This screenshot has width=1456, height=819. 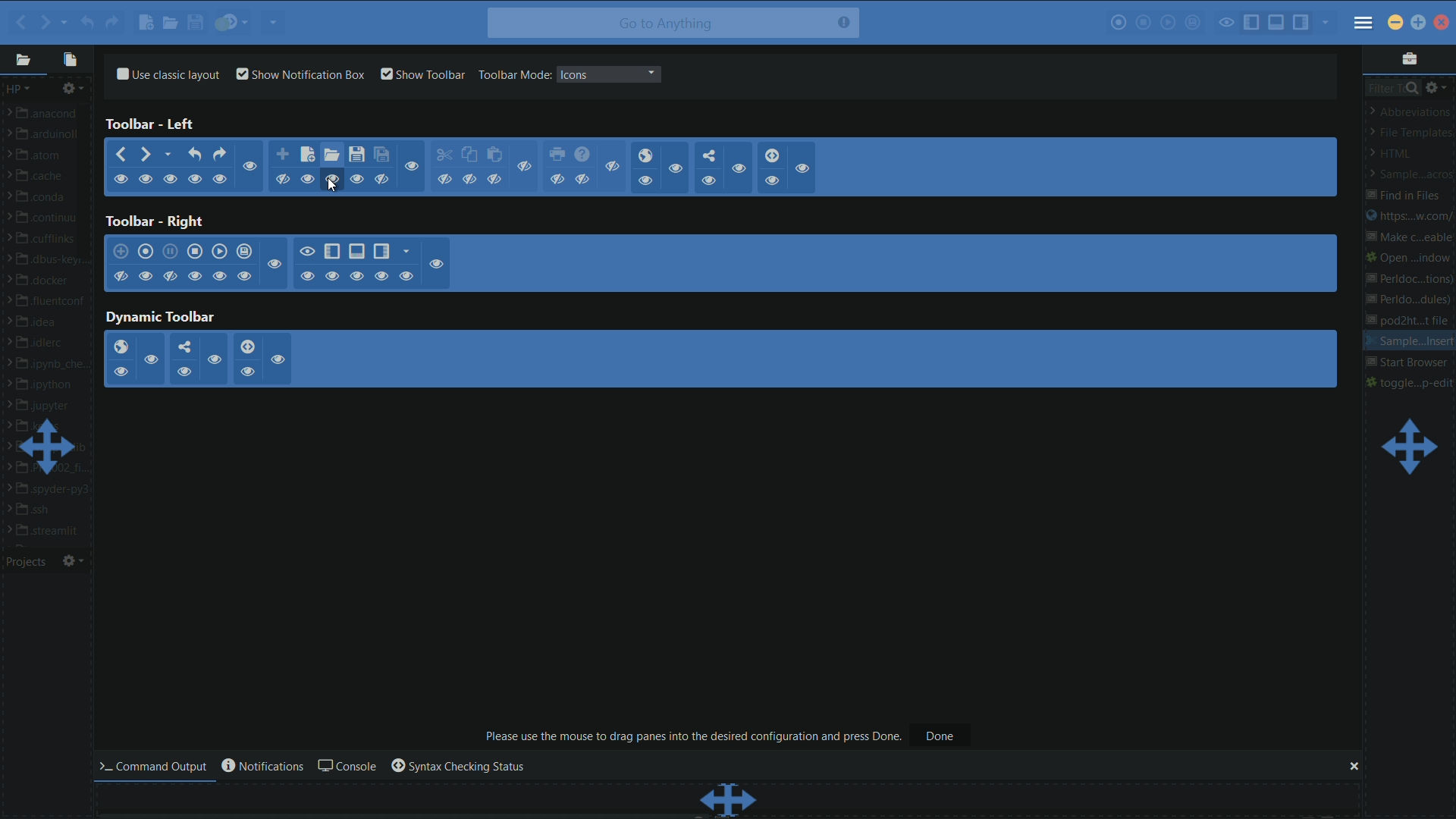 What do you see at coordinates (18, 89) in the screenshot?
I see `HP` at bounding box center [18, 89].